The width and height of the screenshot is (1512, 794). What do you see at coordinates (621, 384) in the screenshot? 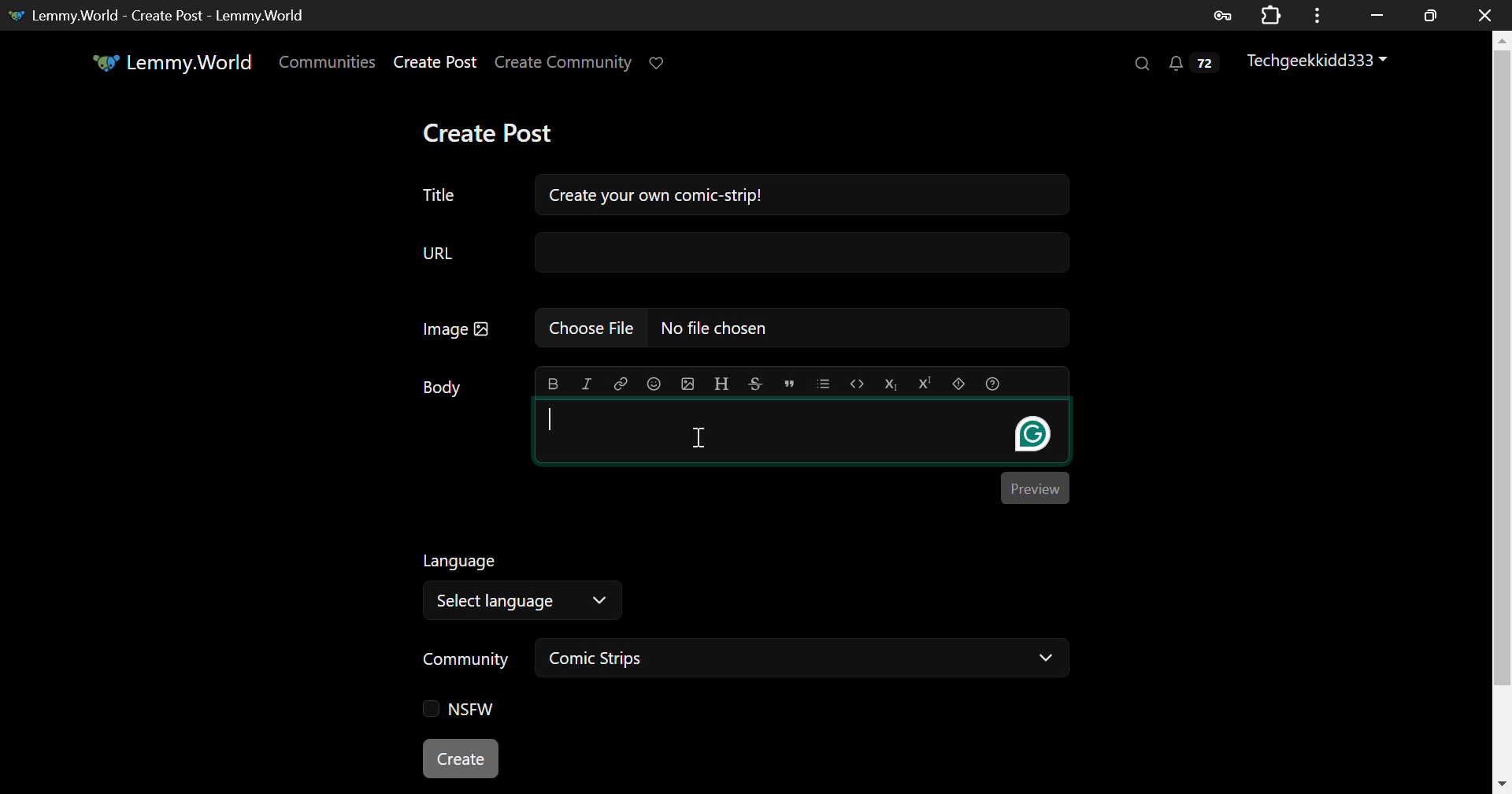
I see `Link` at bounding box center [621, 384].